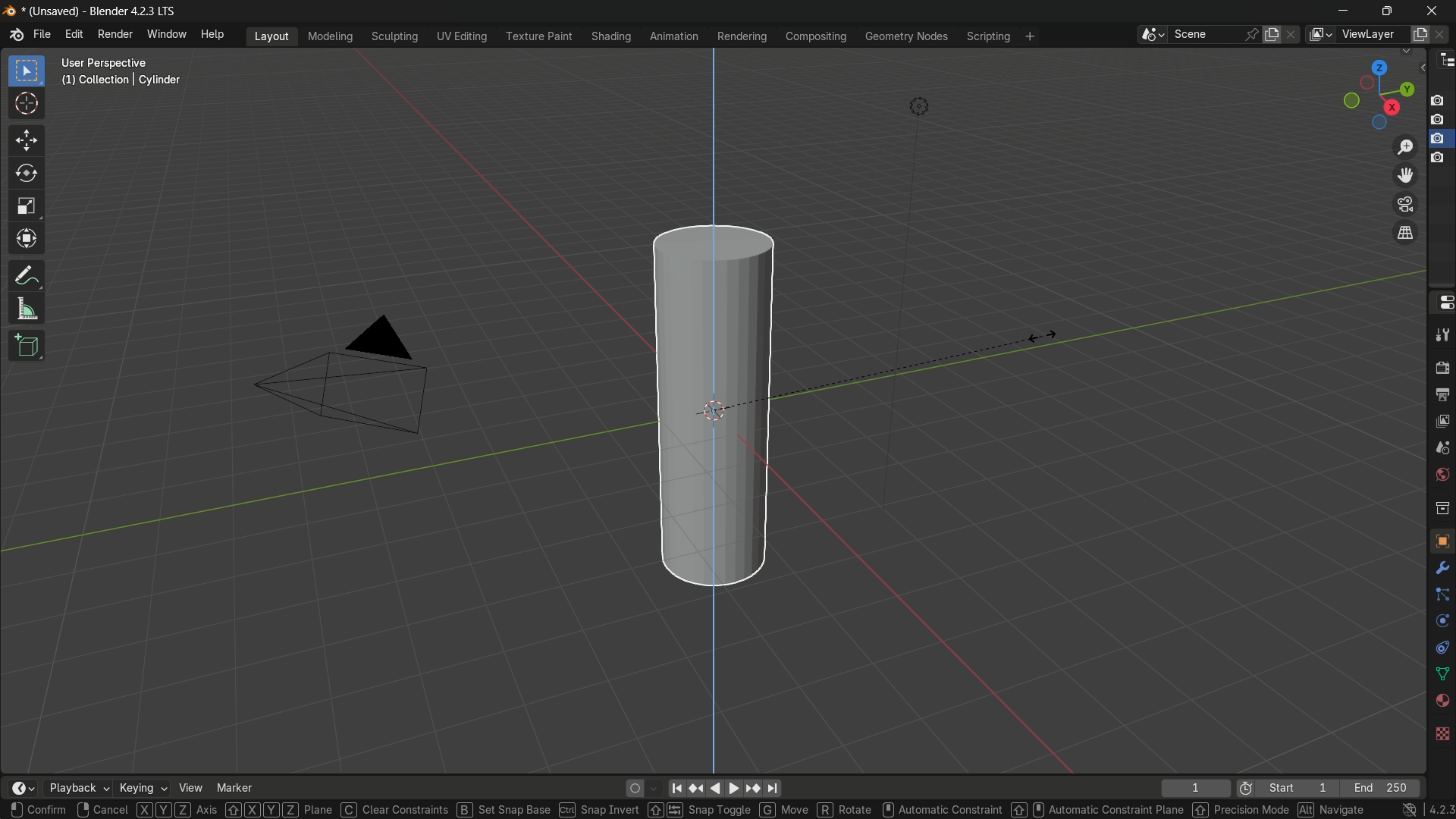  What do you see at coordinates (27, 310) in the screenshot?
I see `measure` at bounding box center [27, 310].